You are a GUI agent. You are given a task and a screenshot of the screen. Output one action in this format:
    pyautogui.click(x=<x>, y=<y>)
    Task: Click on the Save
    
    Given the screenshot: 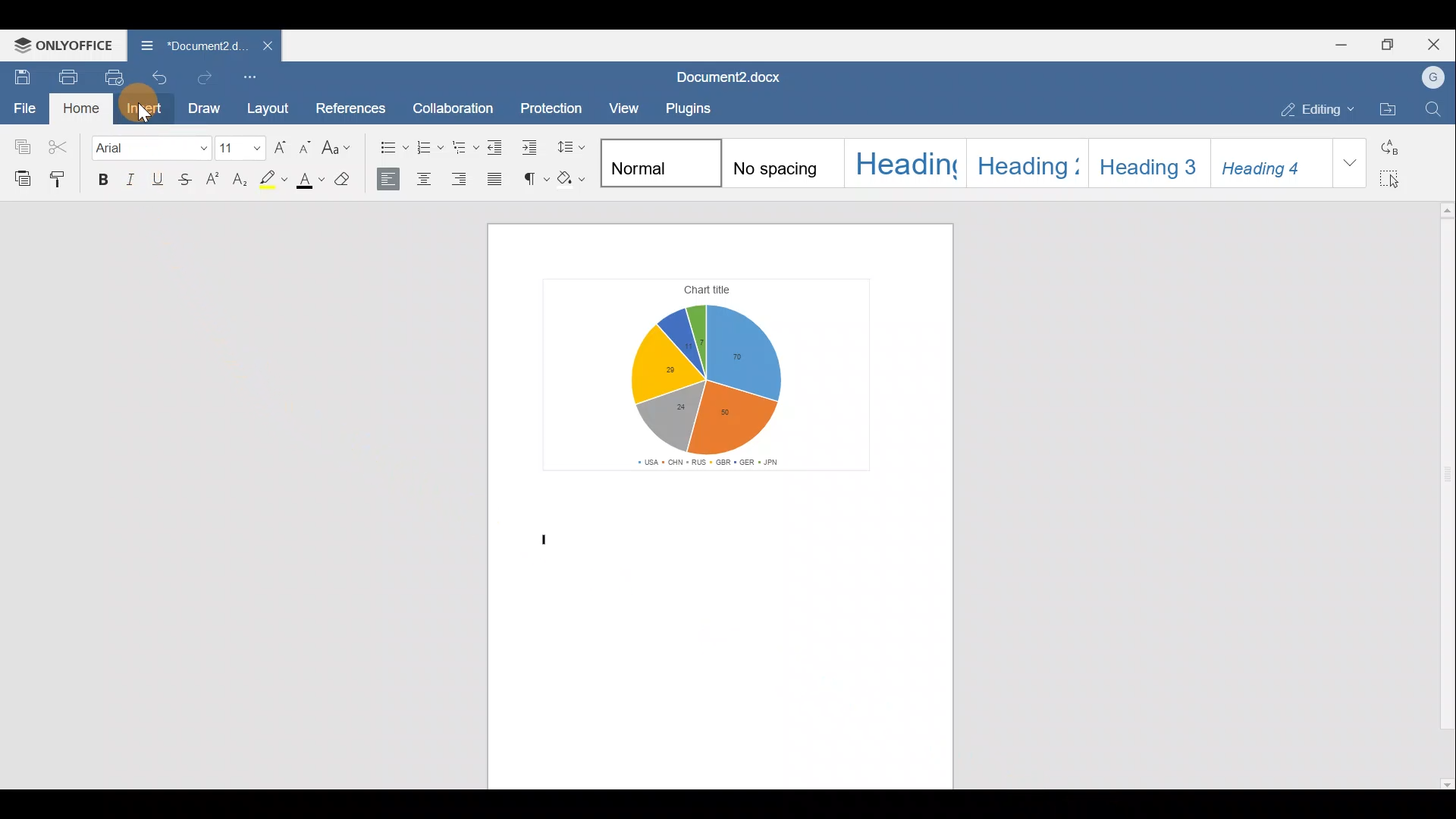 What is the action you would take?
    pyautogui.click(x=19, y=75)
    